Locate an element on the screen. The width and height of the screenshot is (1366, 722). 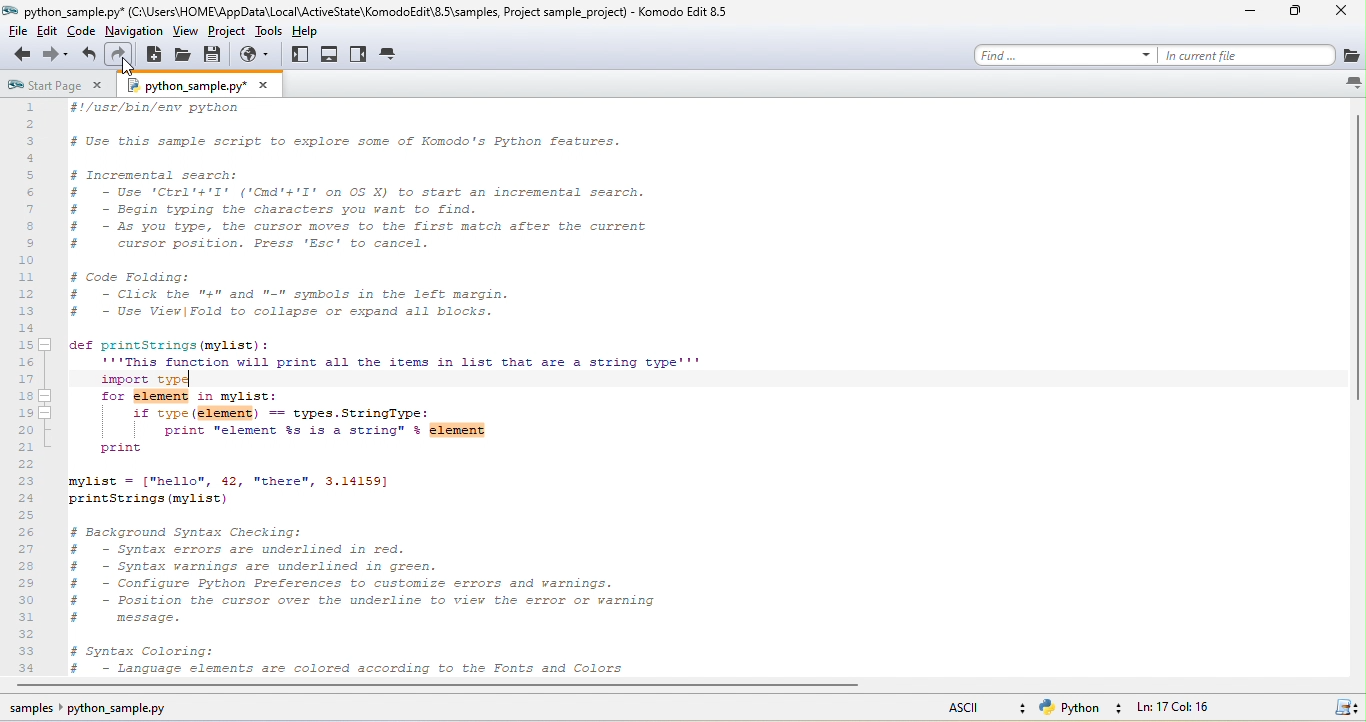
show / hide specific tab is located at coordinates (398, 58).